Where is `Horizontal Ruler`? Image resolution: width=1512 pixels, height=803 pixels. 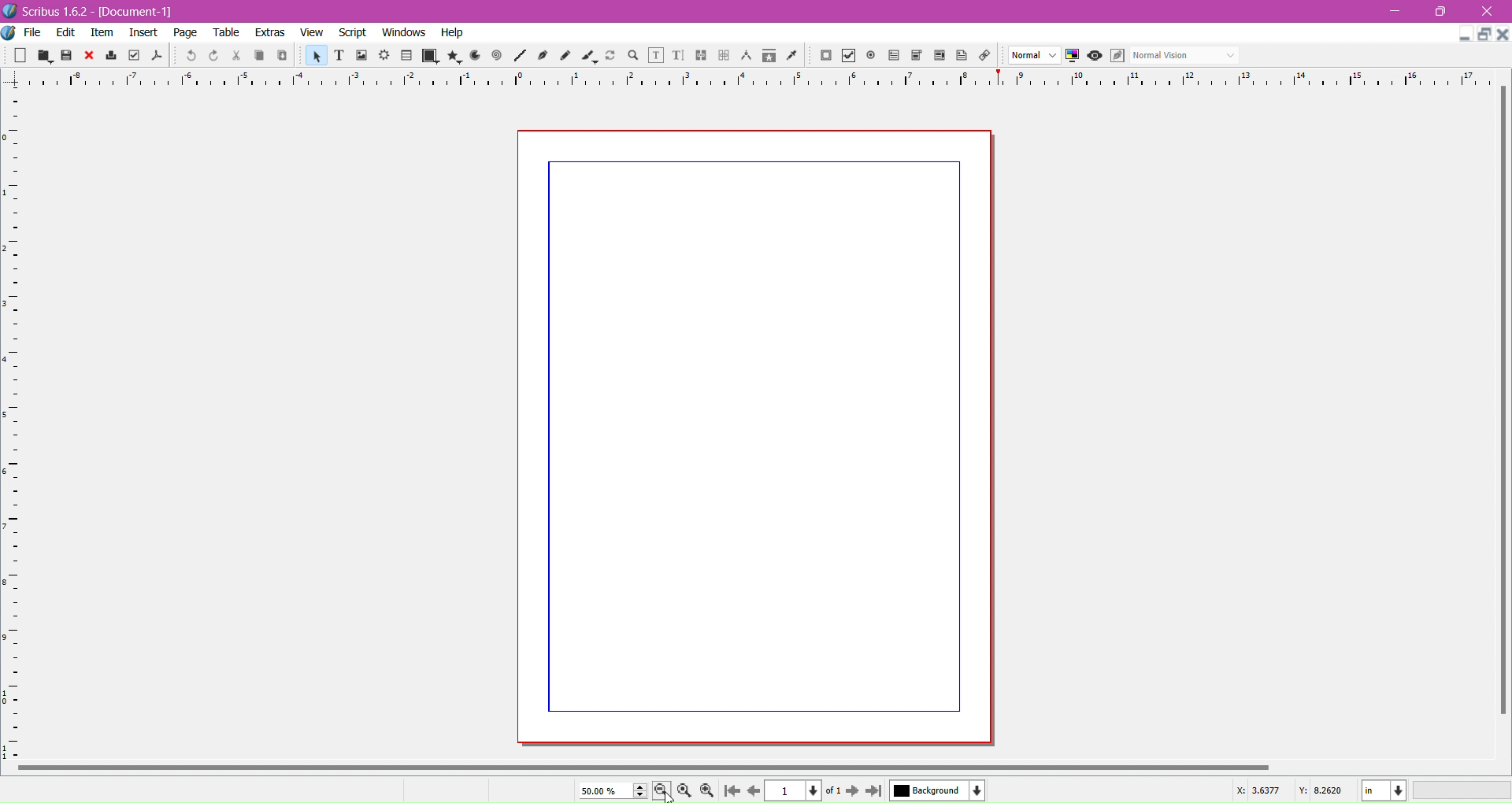 Horizontal Ruler is located at coordinates (755, 80).